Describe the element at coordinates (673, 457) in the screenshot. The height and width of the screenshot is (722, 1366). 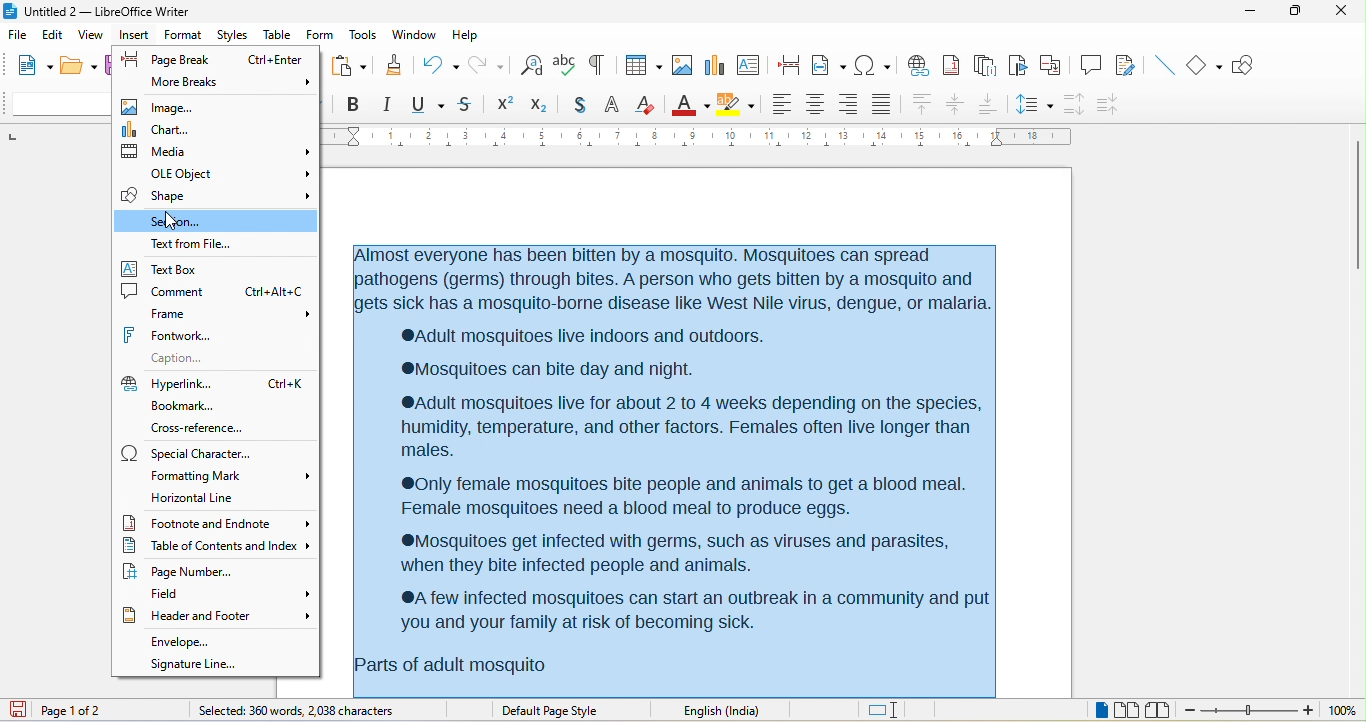
I see `Almost everyone has been bitten by a mosquito. Mosquitoes can spread
pathogens (germs) through bites. A person who gets bitten by a mosquito and
gets sick has a mosquito-borne disease like West Nile virus, dengue, or malaria.
‘®Adult mosquitoes live indoors and outdoors.
‘®Mosquitoes can bite day and night.
®Adult mosquitoes live for about 2 to 4 weeks depending on the species,
humidity, temperature, and other factors. Females often live longer than
males.
®0nly female mosquitoes bite people and animals to get a blood meal.
Female mosquitoes need a blood meal to produce eggs.
‘®Mosquitoes get infected with germs, such as viruses and parasites,
when they bite infected people and animals.
®A few infected mosquitoes can start an outbreak in a community and put
'you and your family at risk of becoming sick.
Parts of adult mosquito` at that location.